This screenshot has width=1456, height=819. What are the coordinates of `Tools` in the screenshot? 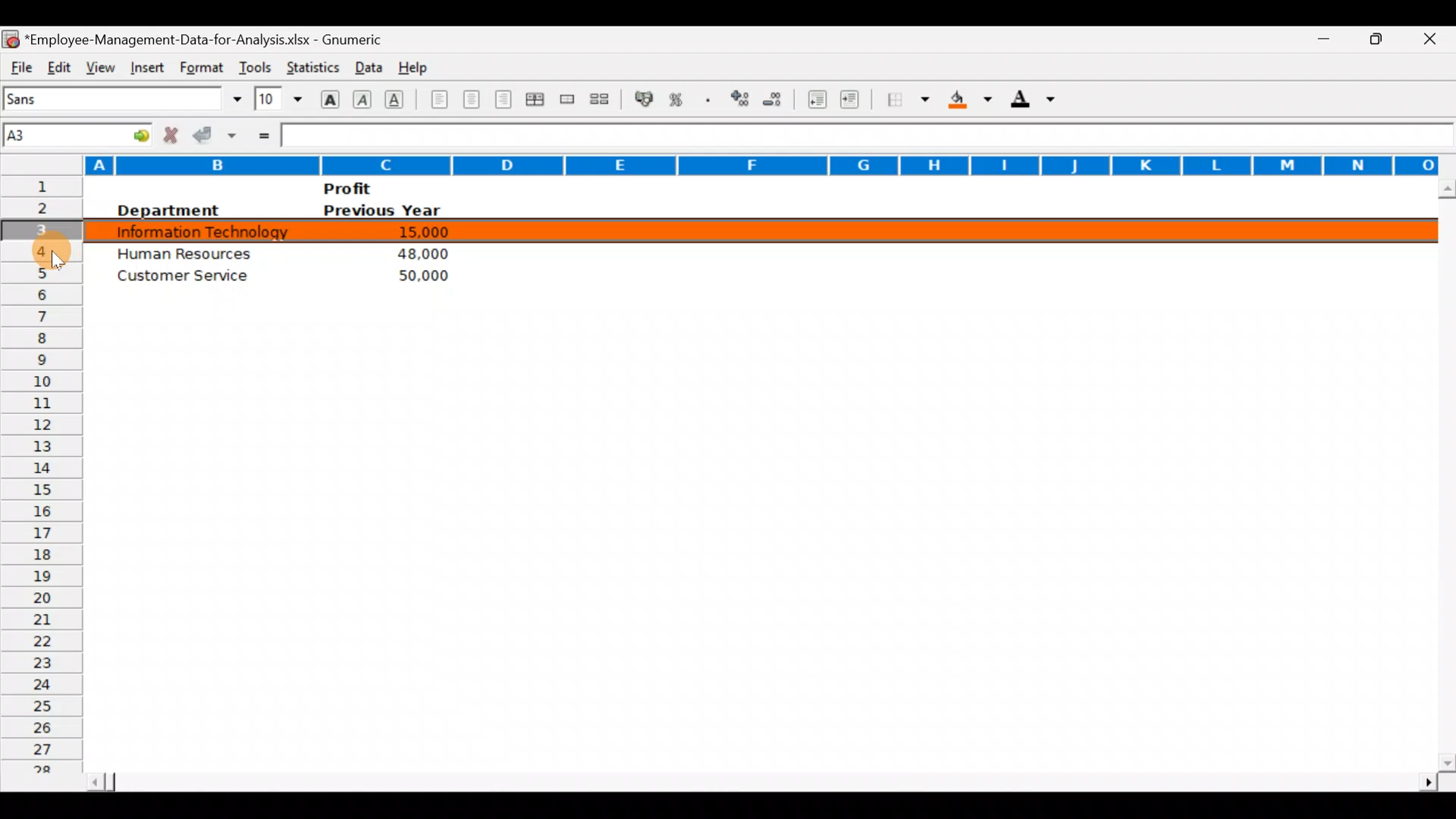 It's located at (255, 64).